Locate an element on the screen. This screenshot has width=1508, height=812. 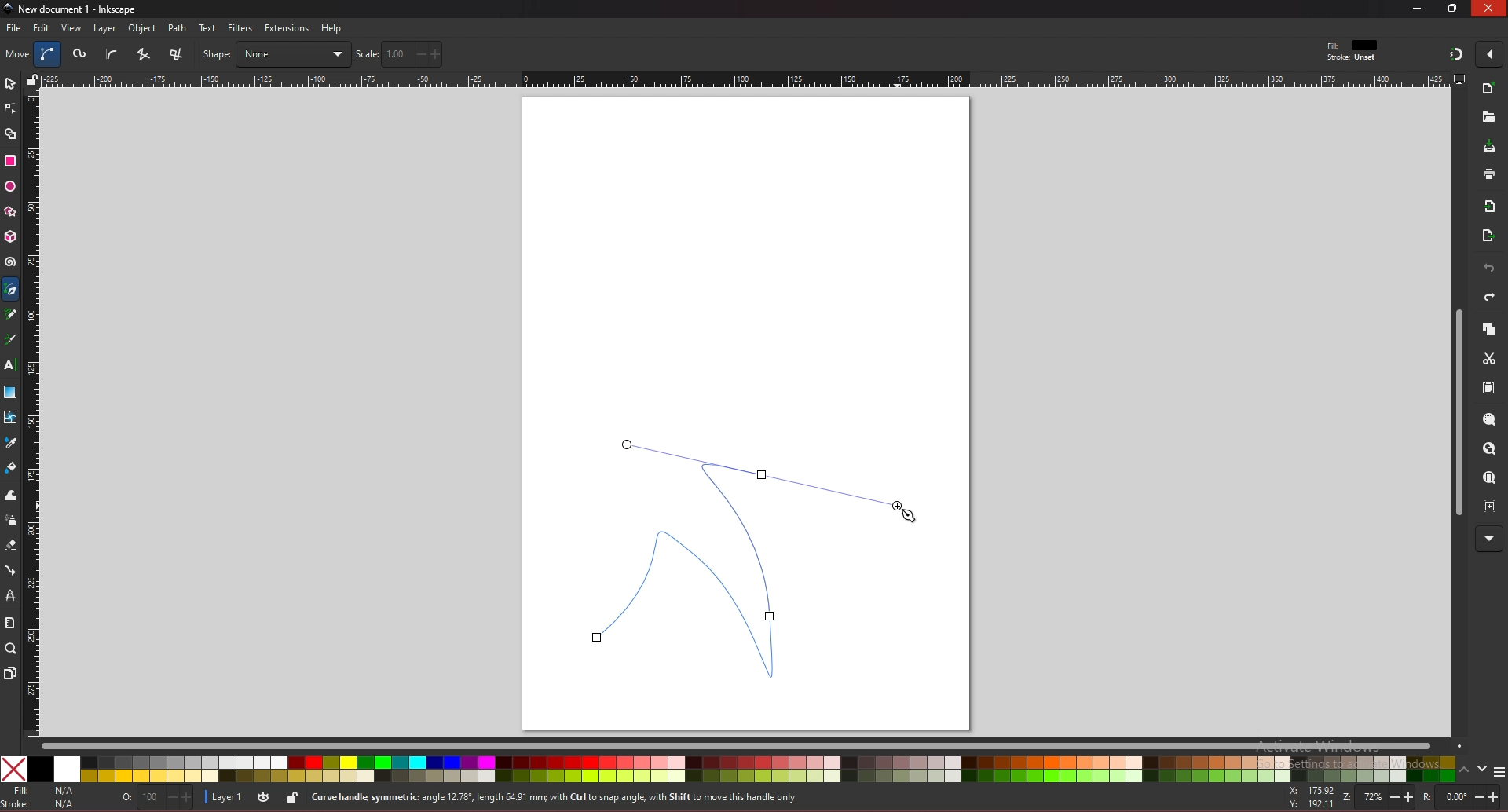
stroke is located at coordinates (42, 804).